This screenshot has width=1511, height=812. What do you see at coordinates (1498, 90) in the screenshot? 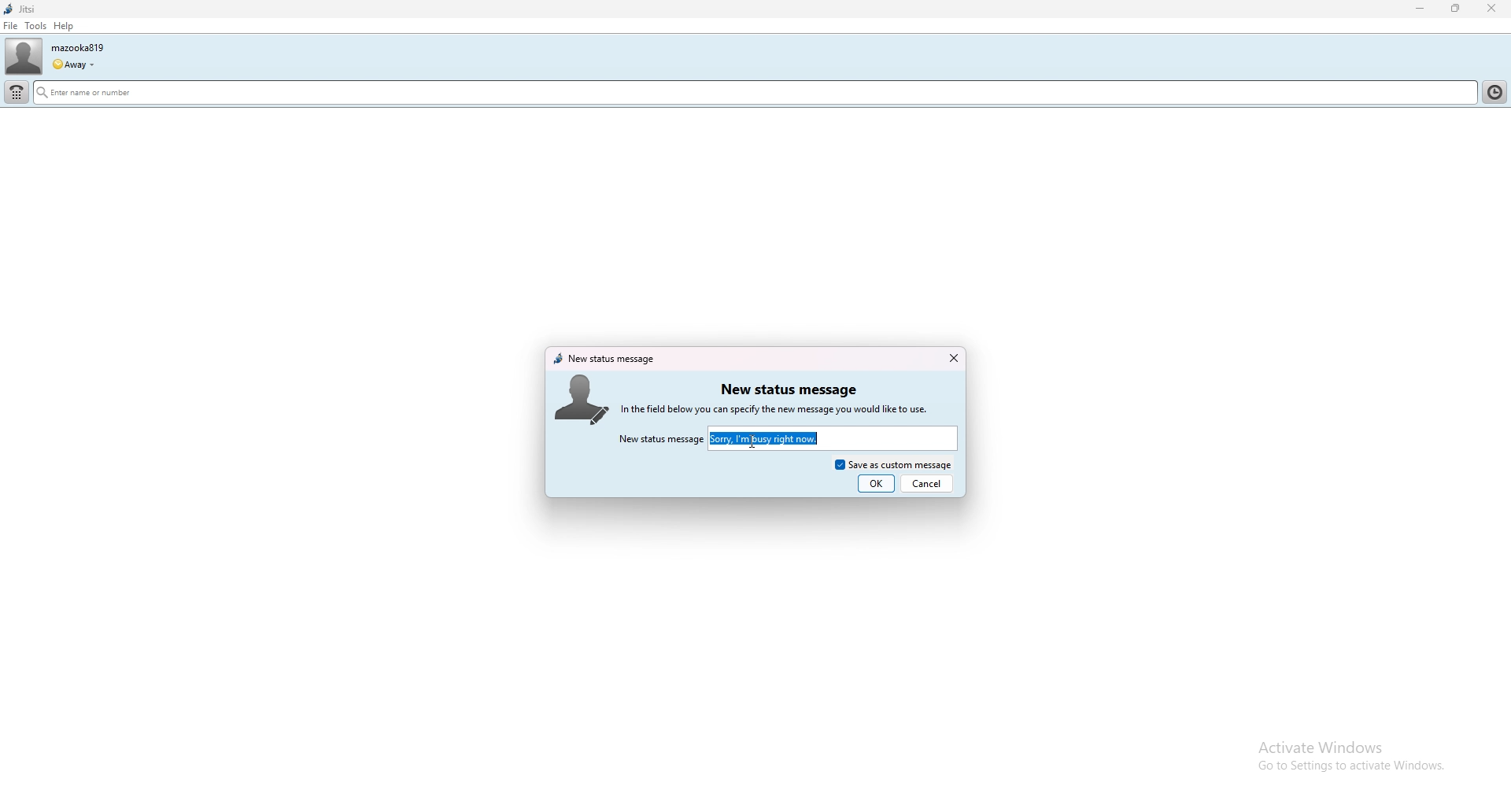
I see `contact list` at bounding box center [1498, 90].